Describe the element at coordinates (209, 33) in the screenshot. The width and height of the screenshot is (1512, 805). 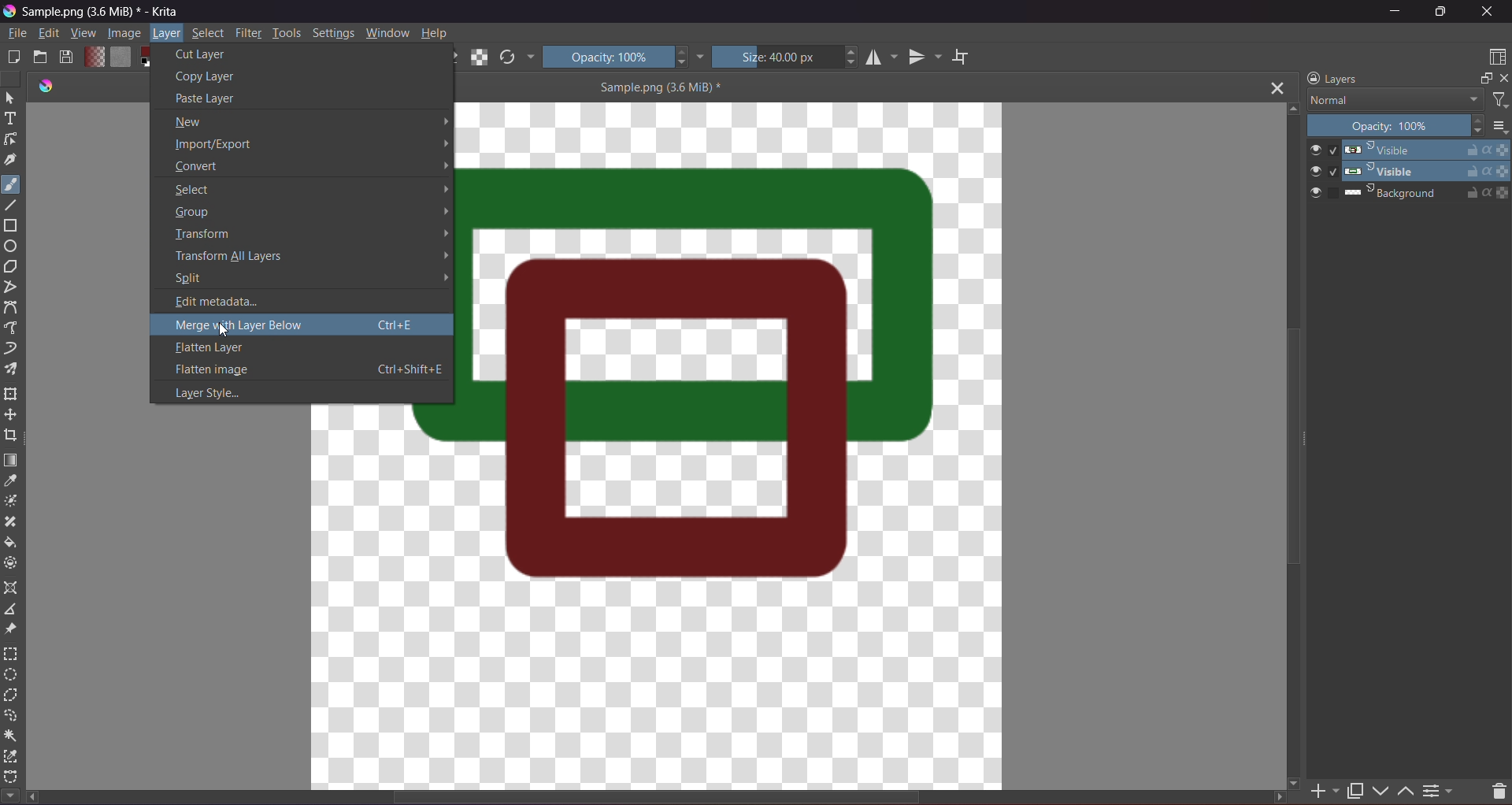
I see `Select` at that location.